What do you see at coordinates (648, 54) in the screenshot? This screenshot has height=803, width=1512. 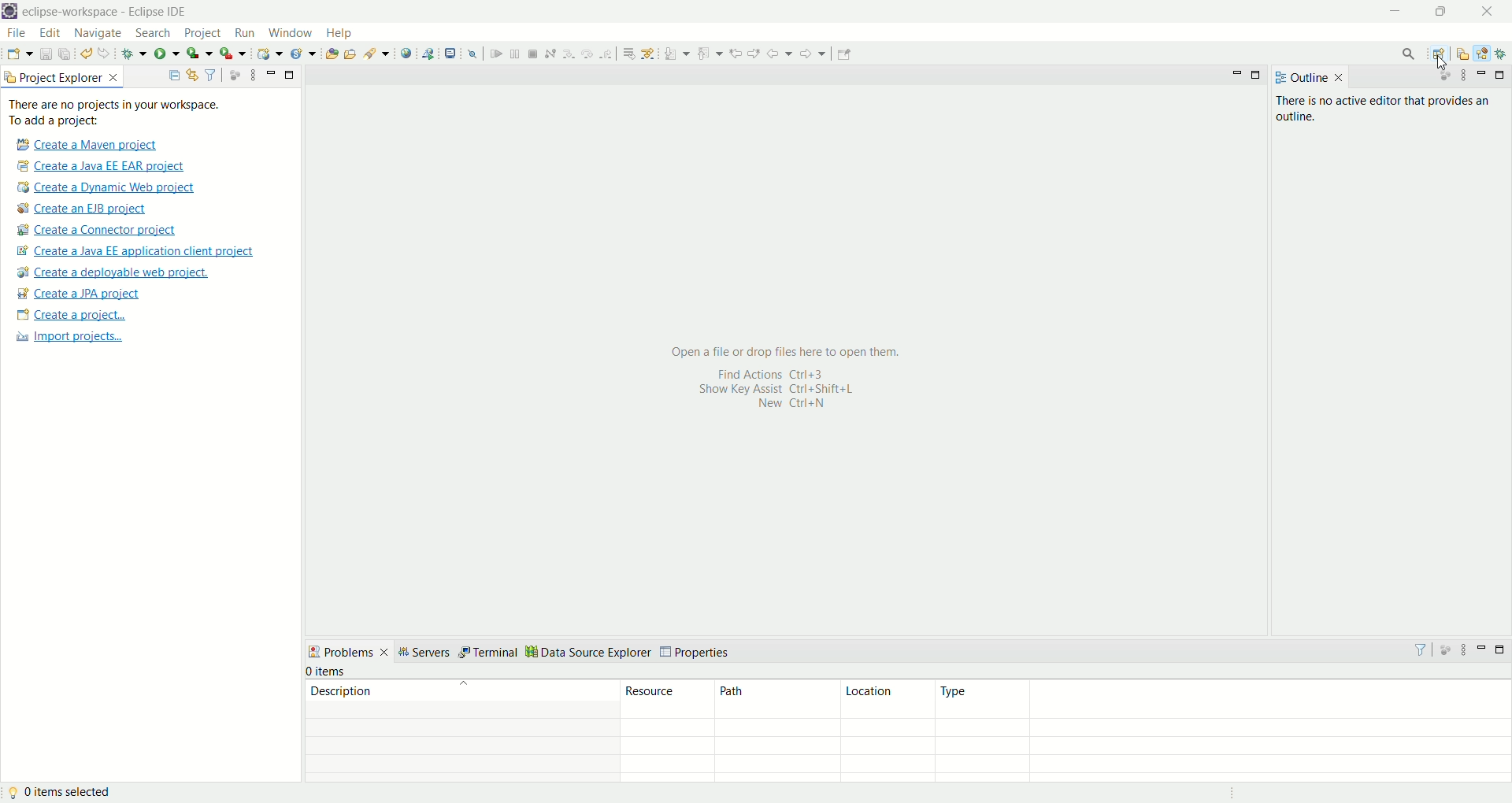 I see `use step filters` at bounding box center [648, 54].